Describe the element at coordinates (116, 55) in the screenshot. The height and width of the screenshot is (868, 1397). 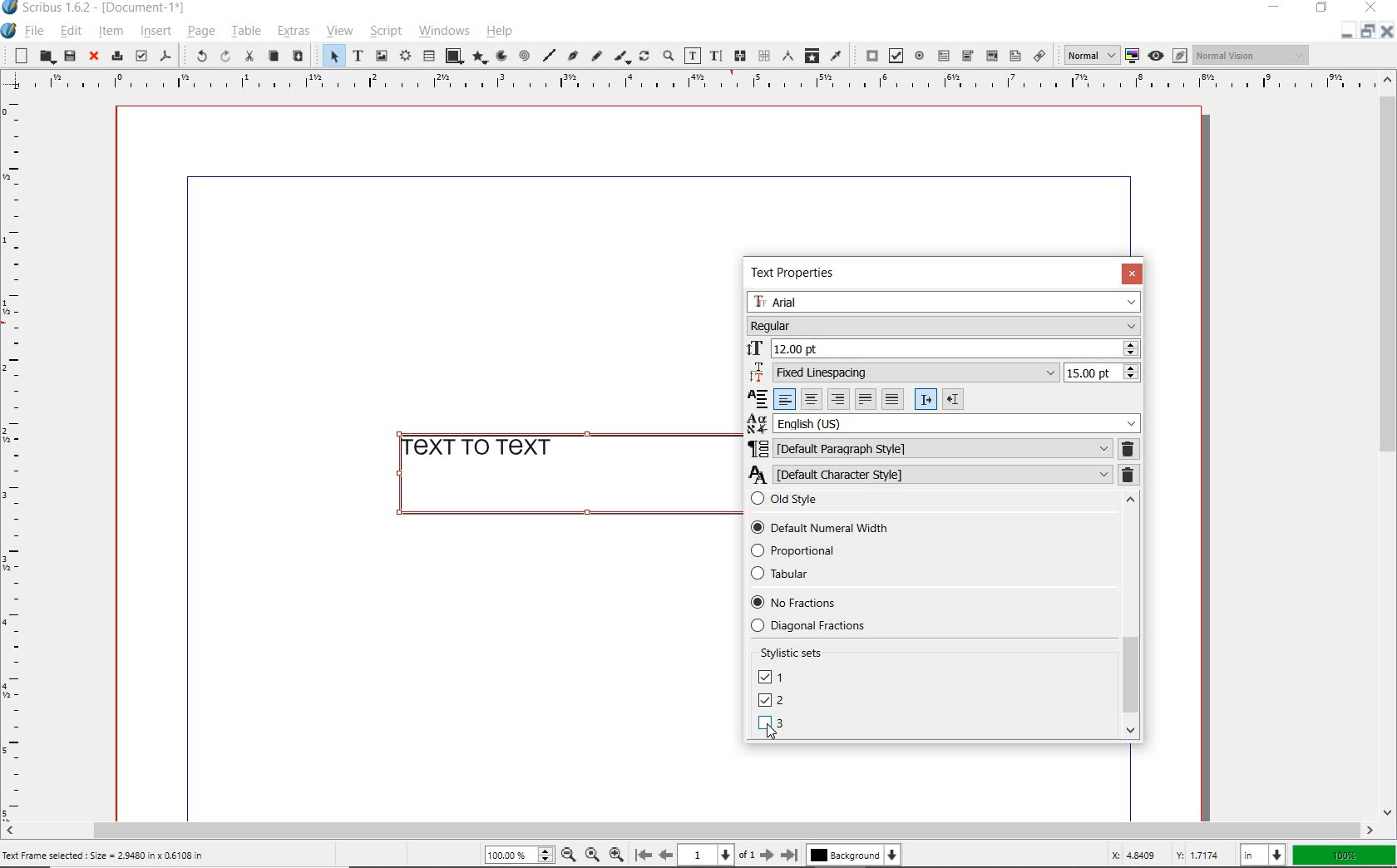
I see `print` at that location.